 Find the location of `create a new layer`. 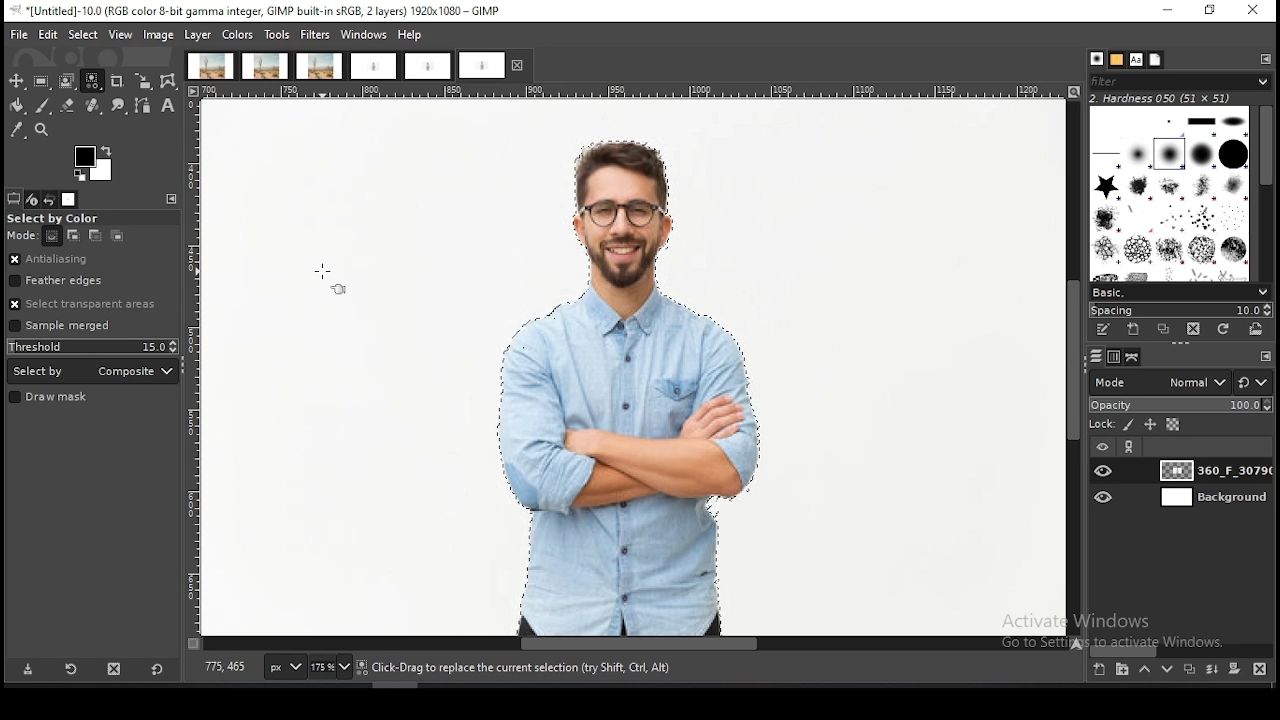

create a new layer is located at coordinates (1100, 668).